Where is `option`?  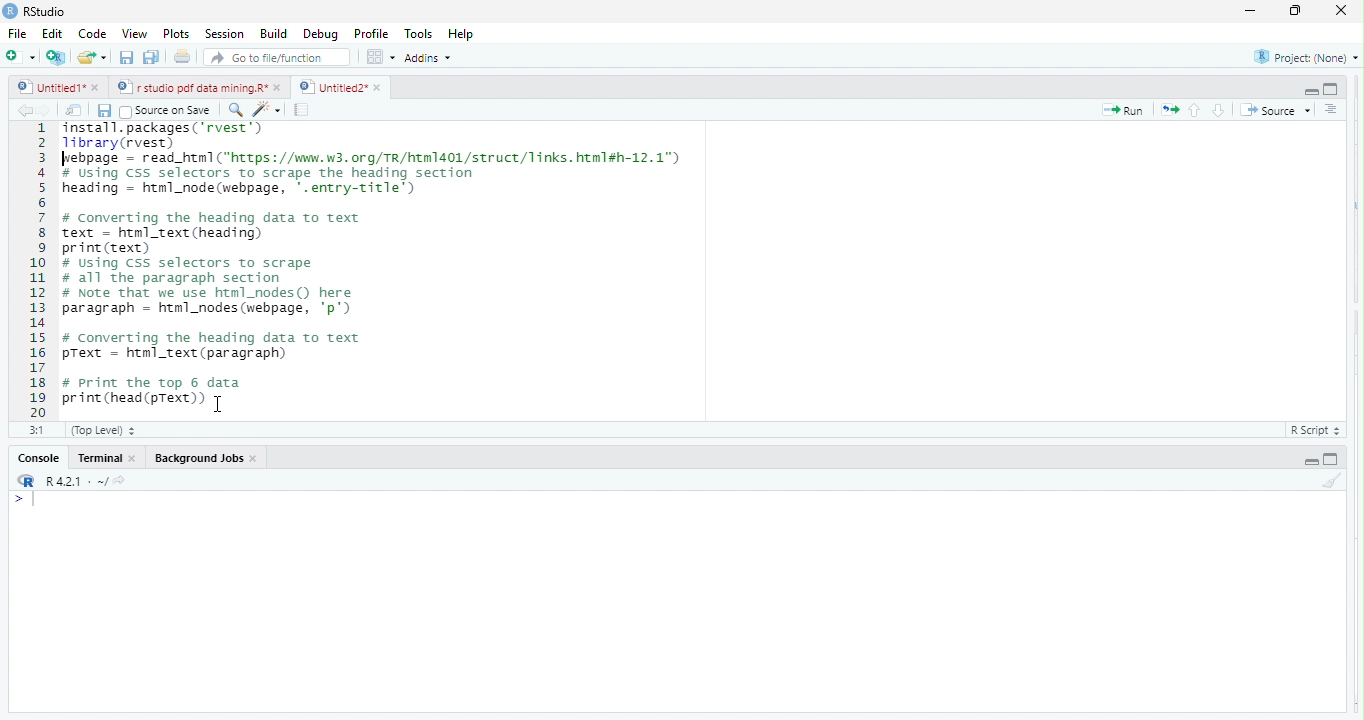
option is located at coordinates (380, 56).